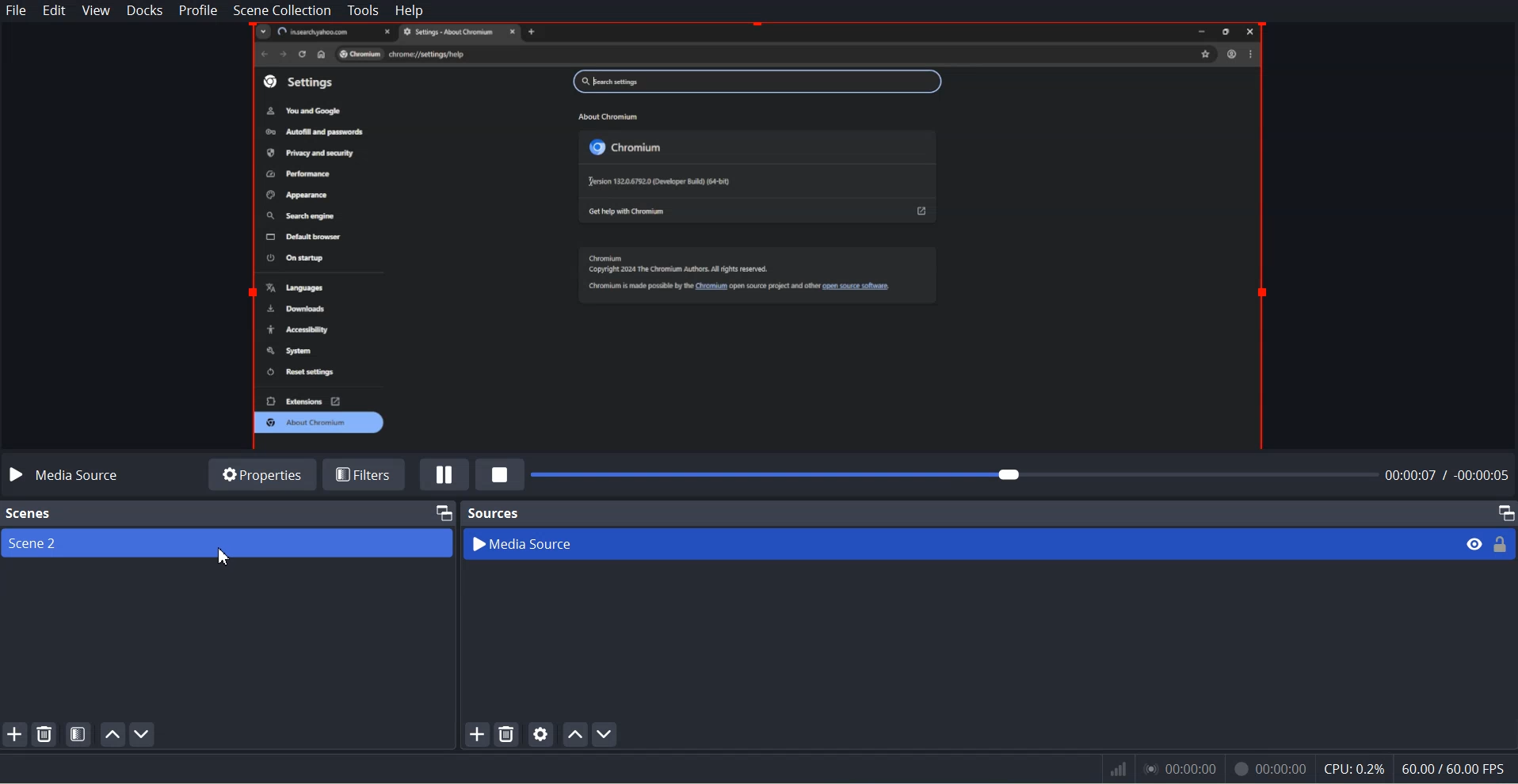 The height and width of the screenshot is (784, 1518). I want to click on Move source up, so click(575, 733).